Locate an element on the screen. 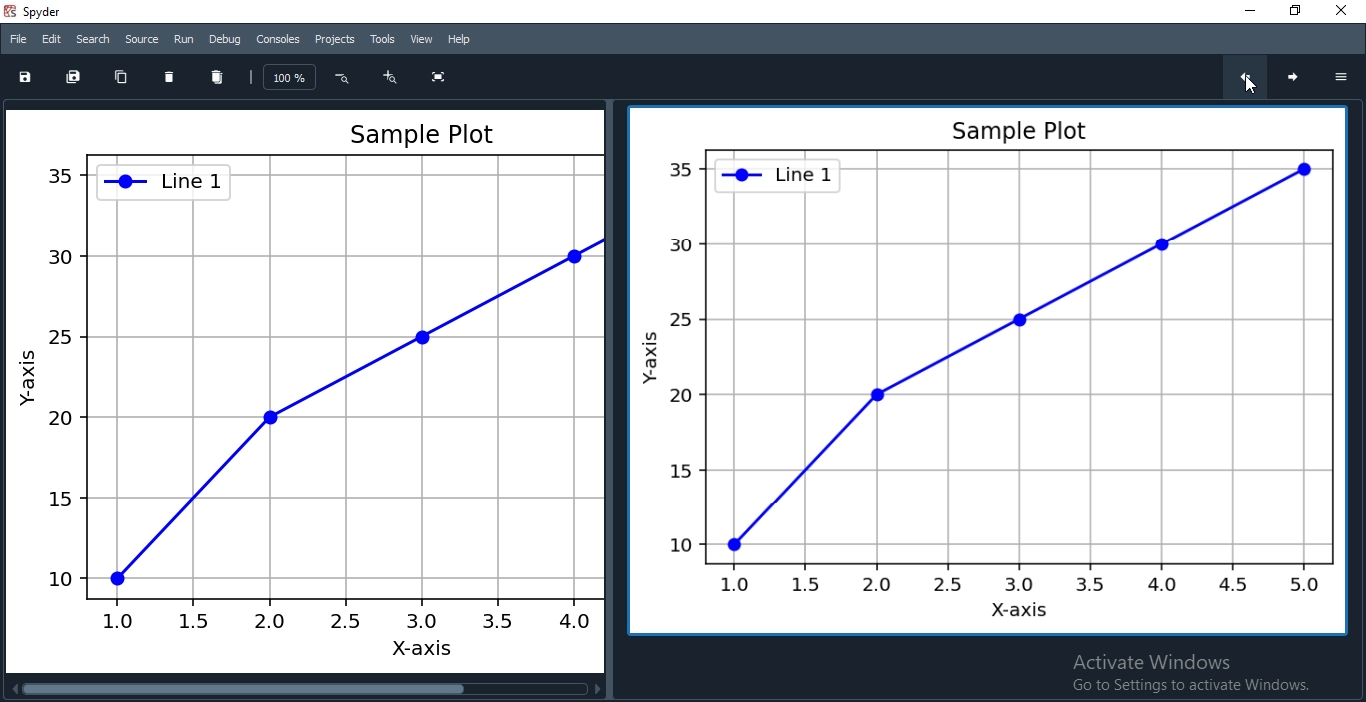 The height and width of the screenshot is (702, 1366). Run is located at coordinates (183, 39).